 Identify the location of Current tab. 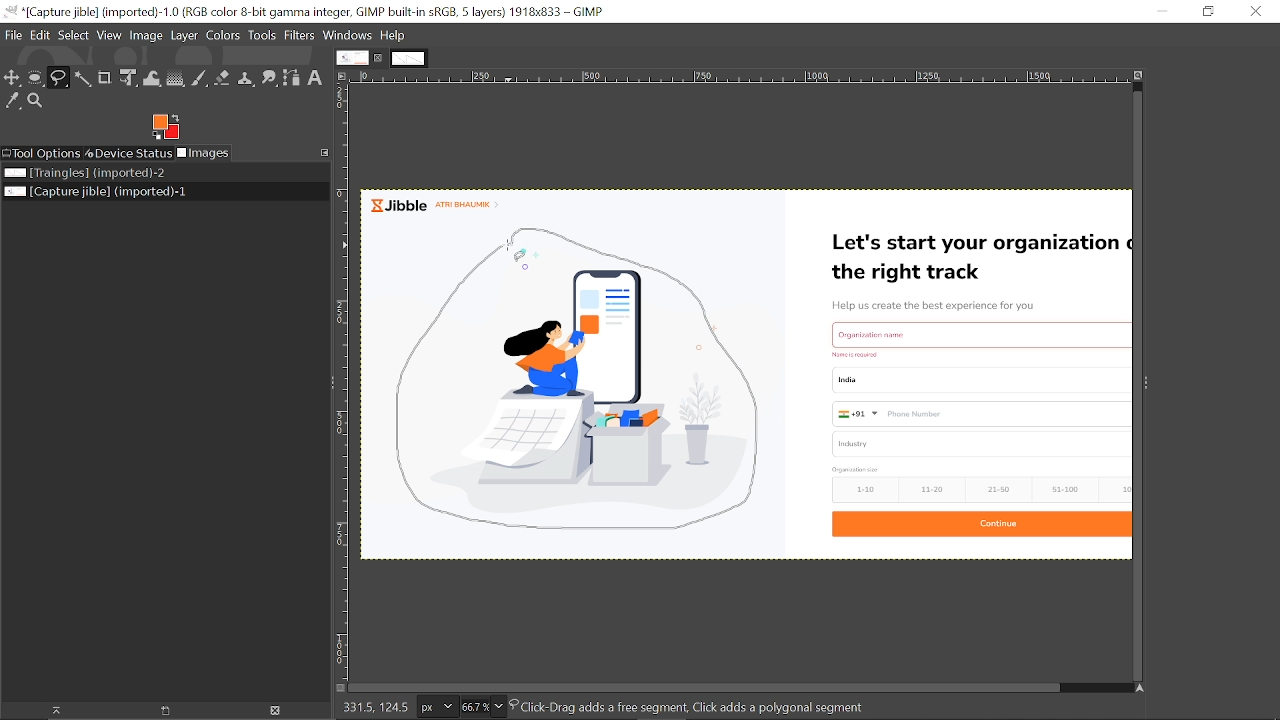
(352, 57).